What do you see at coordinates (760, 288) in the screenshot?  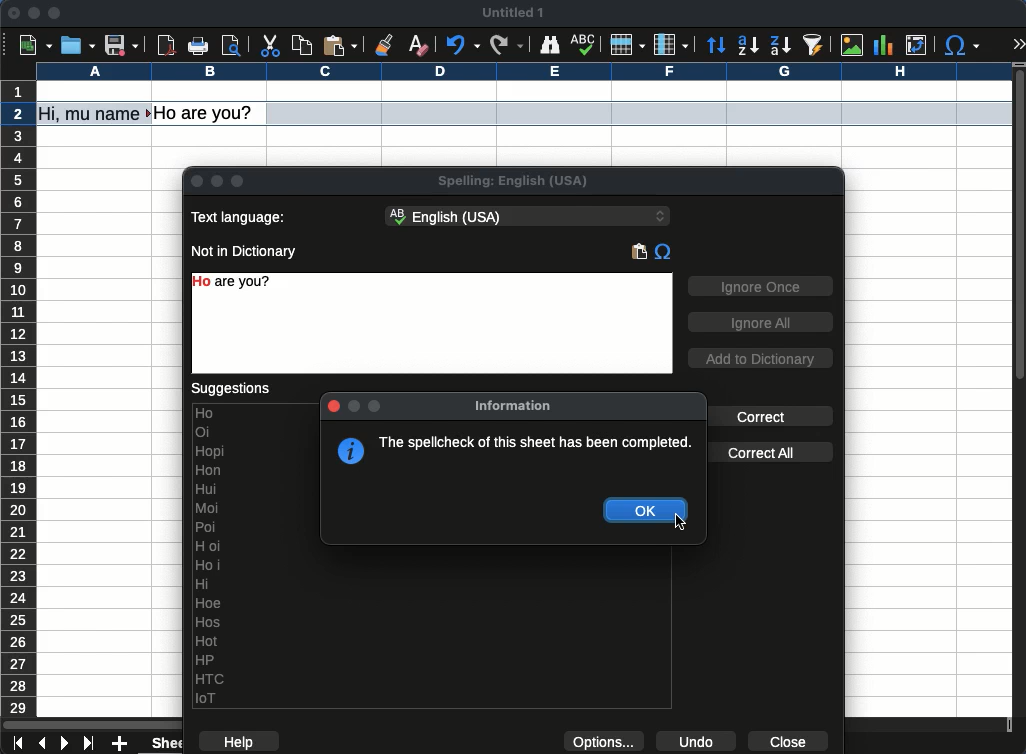 I see `ignore once` at bounding box center [760, 288].